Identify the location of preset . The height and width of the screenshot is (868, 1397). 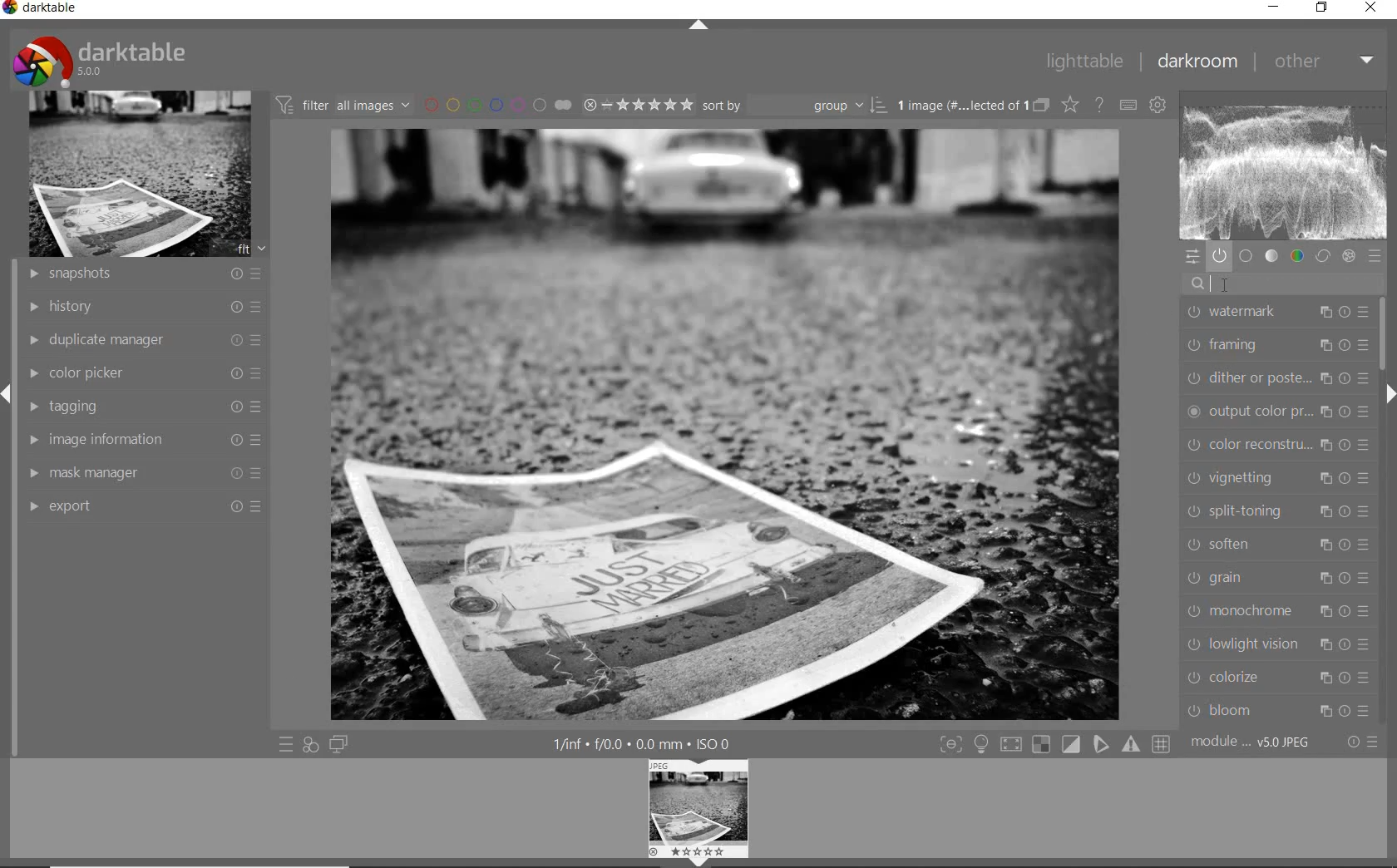
(1375, 257).